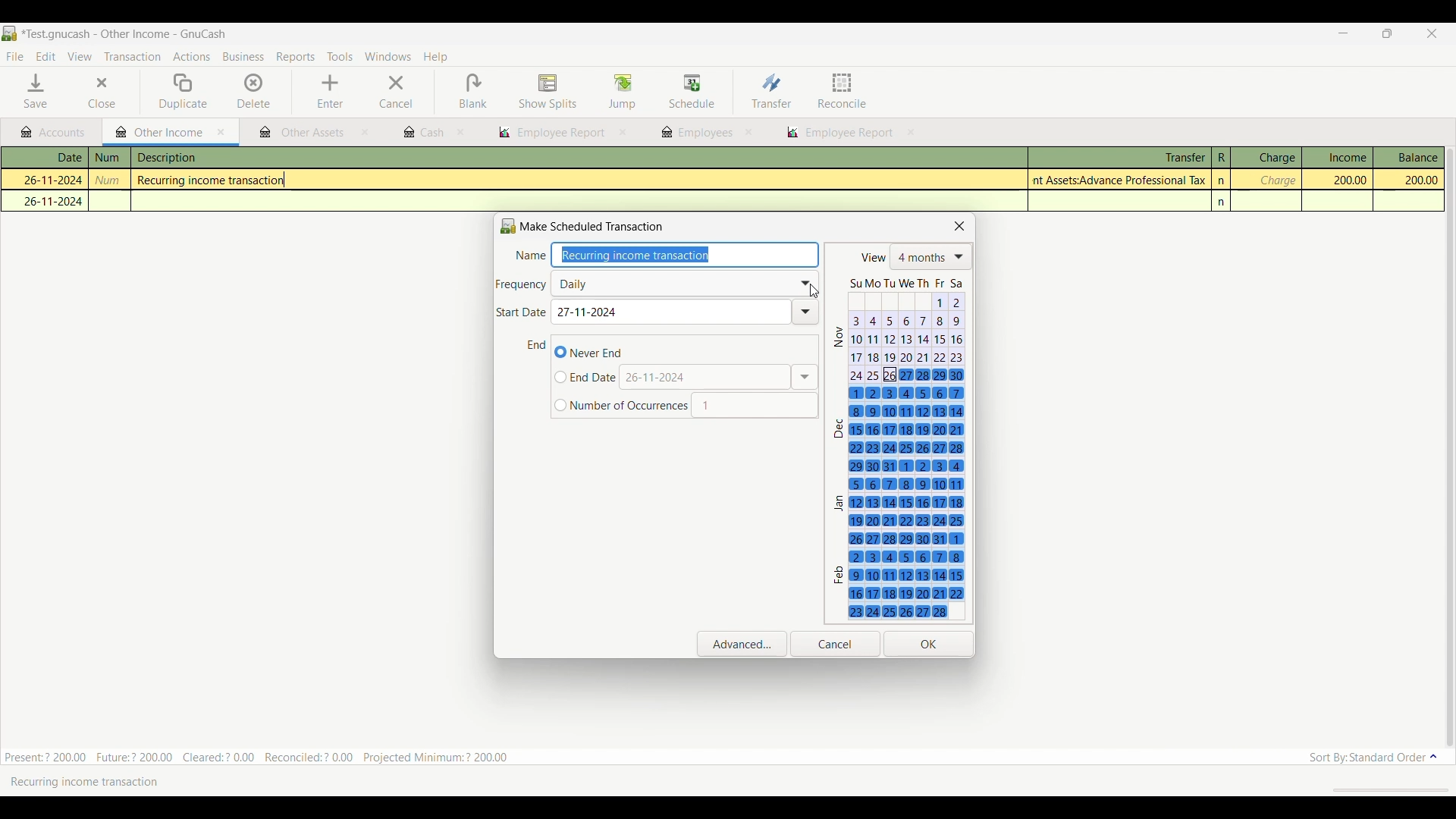 Image resolution: width=1456 pixels, height=819 pixels. What do you see at coordinates (91, 93) in the screenshot?
I see `Close` at bounding box center [91, 93].